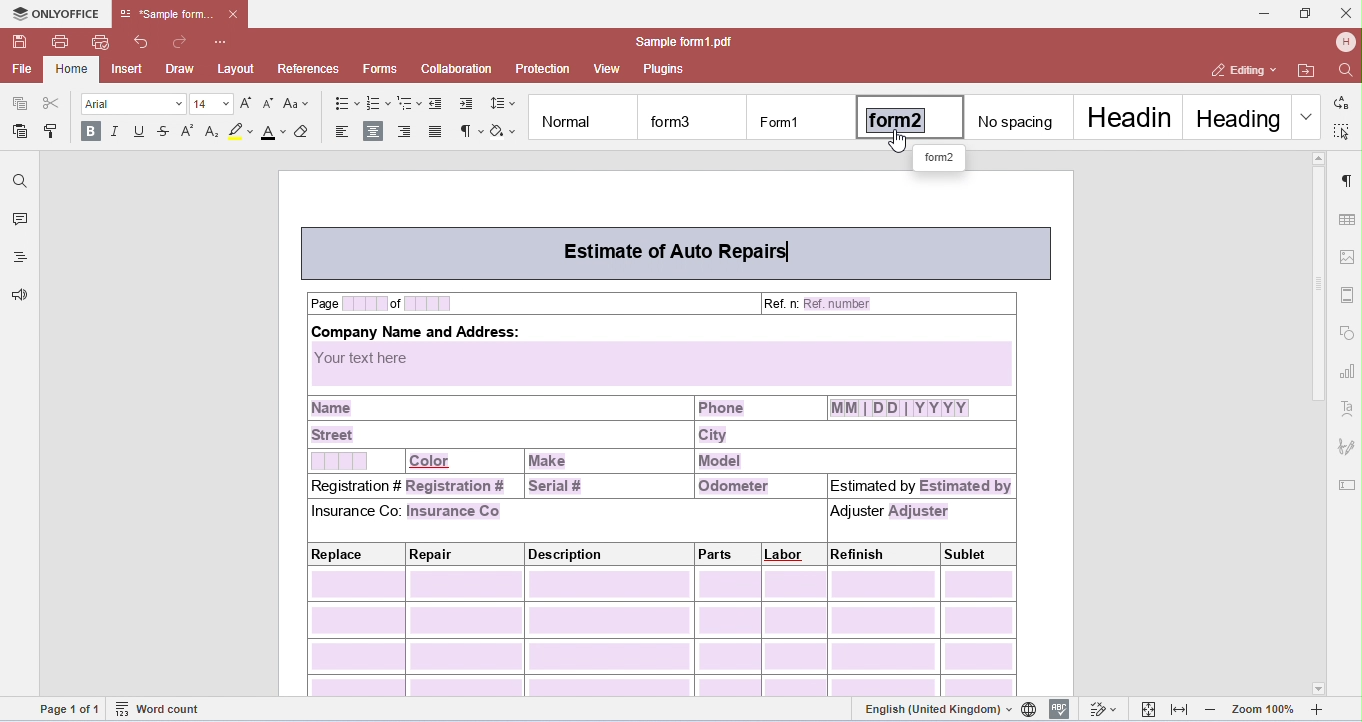 The image size is (1362, 722). I want to click on close, so click(235, 14).